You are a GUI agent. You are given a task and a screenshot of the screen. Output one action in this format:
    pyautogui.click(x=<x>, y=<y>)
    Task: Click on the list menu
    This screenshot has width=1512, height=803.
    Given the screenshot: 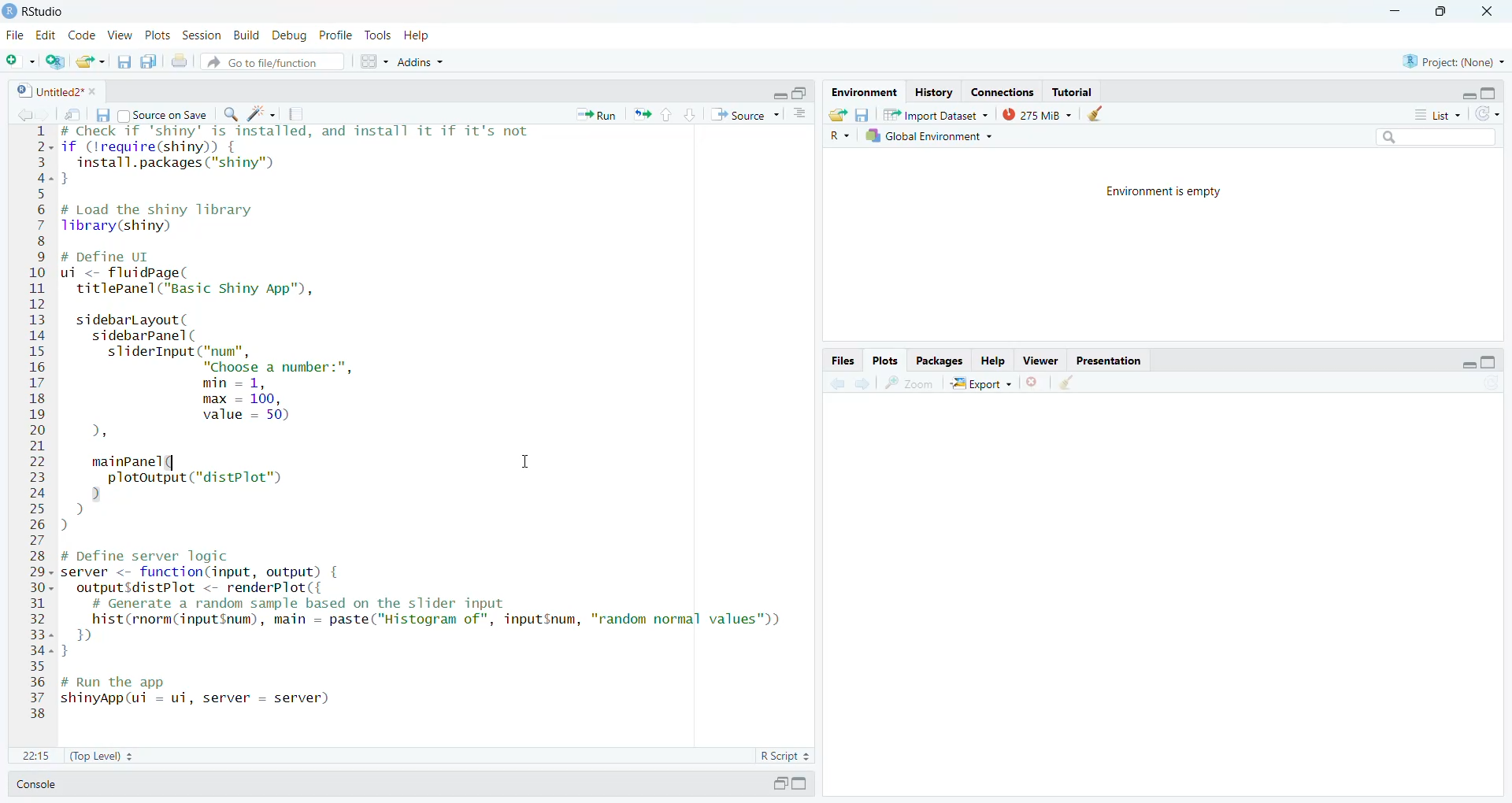 What is the action you would take?
    pyautogui.click(x=1439, y=114)
    